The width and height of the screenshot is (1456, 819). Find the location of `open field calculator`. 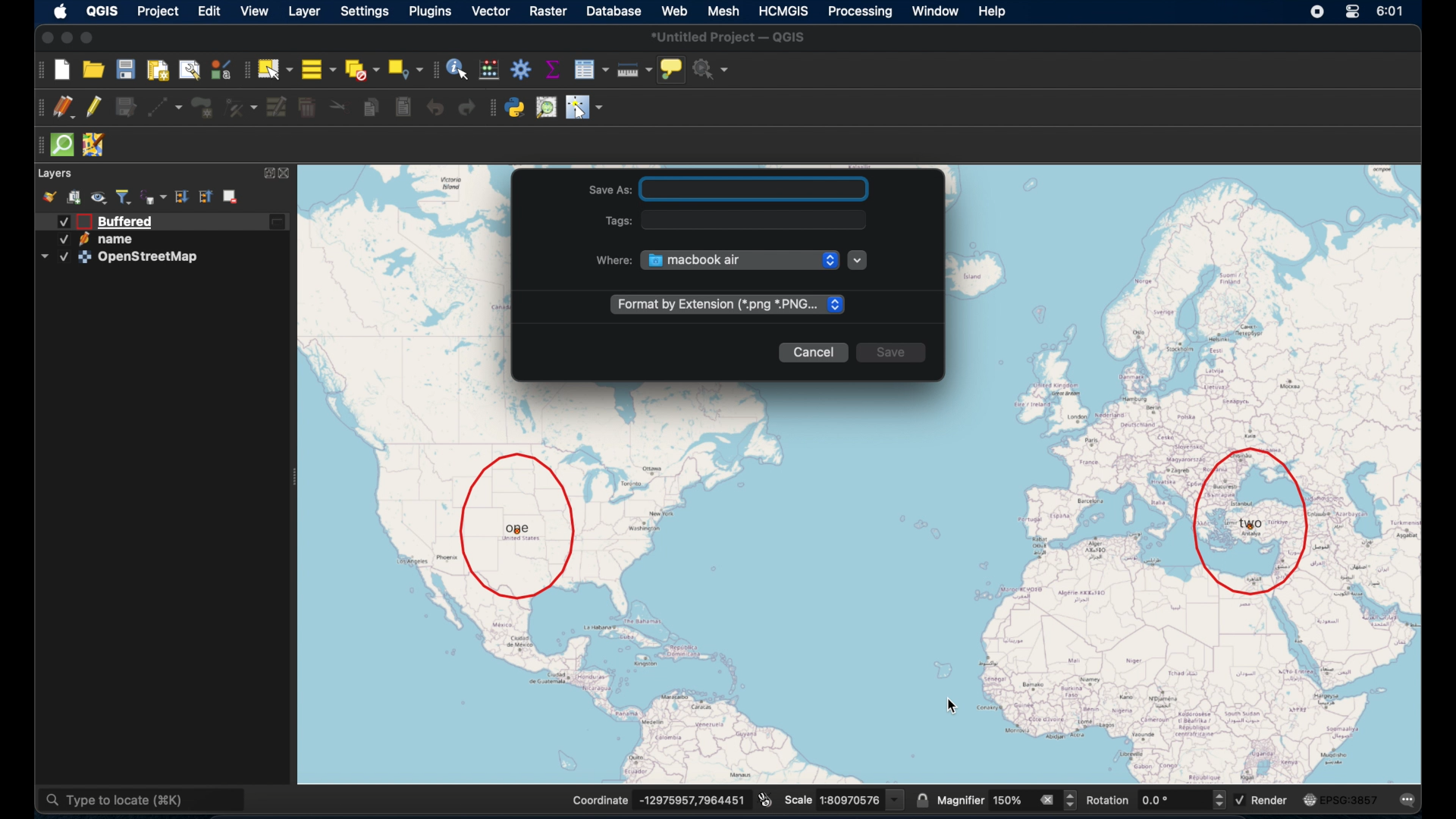

open field calculator is located at coordinates (491, 69).